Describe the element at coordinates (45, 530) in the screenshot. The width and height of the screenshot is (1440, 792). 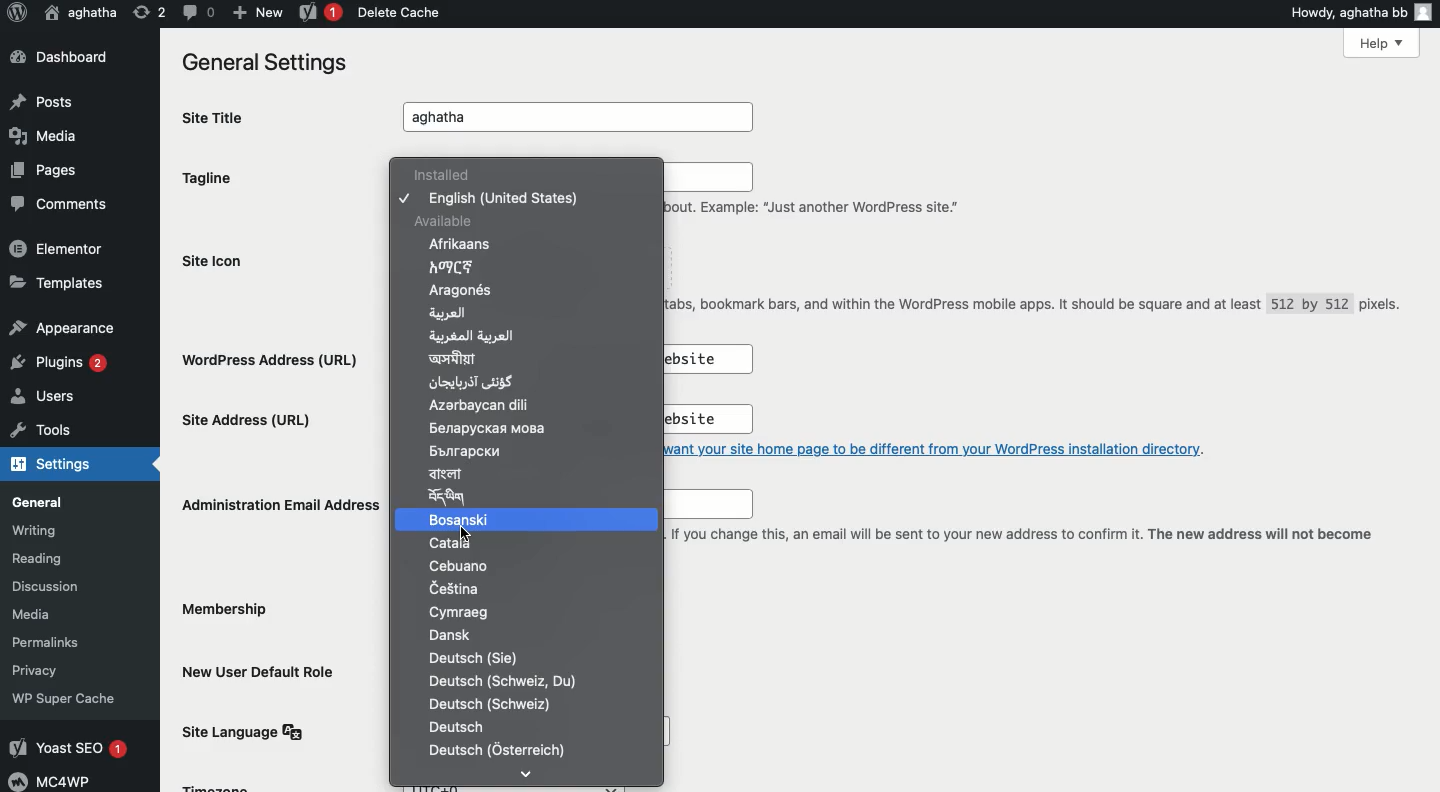
I see `Writing` at that location.